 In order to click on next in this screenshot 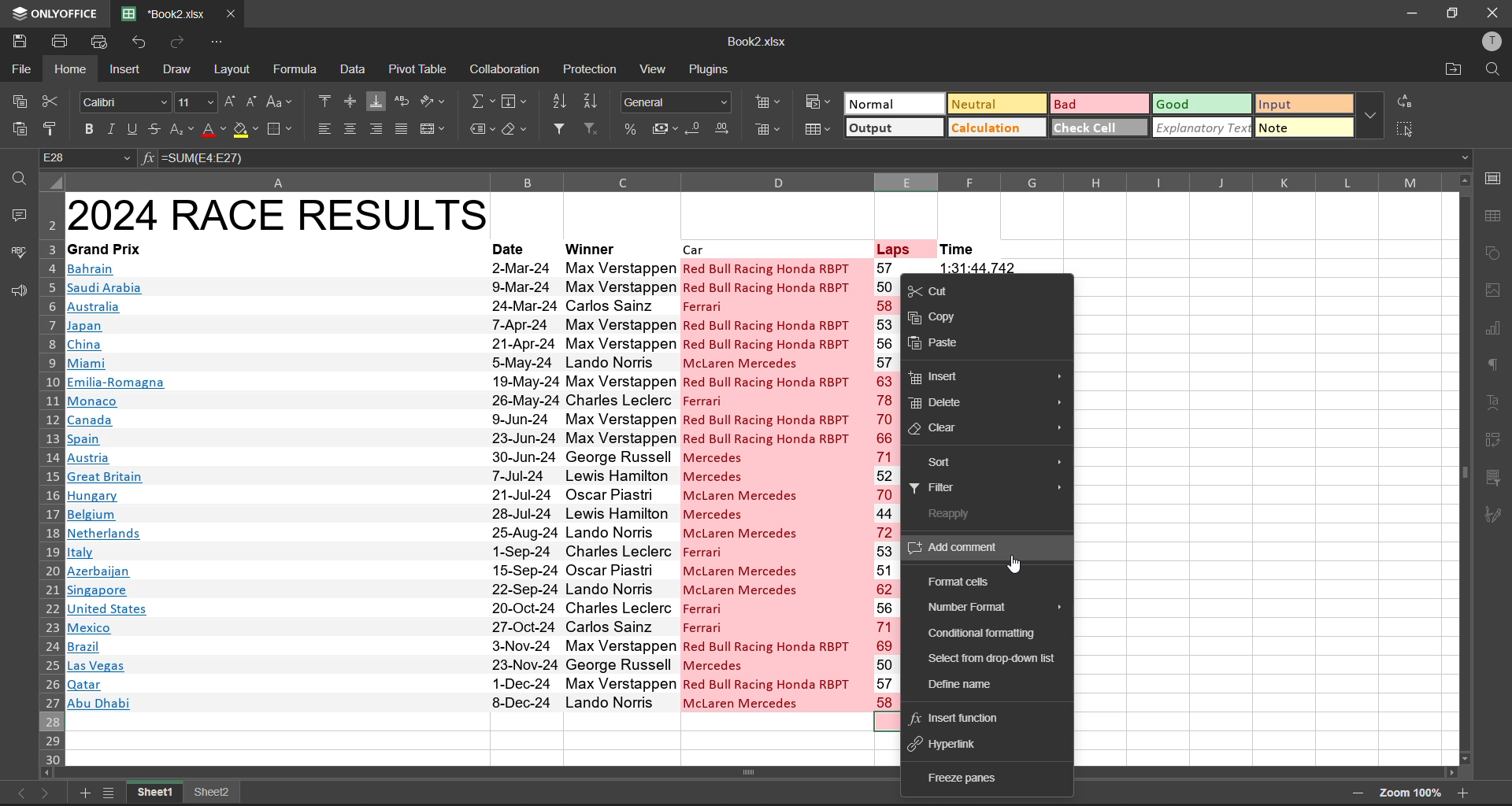, I will do `click(47, 792)`.